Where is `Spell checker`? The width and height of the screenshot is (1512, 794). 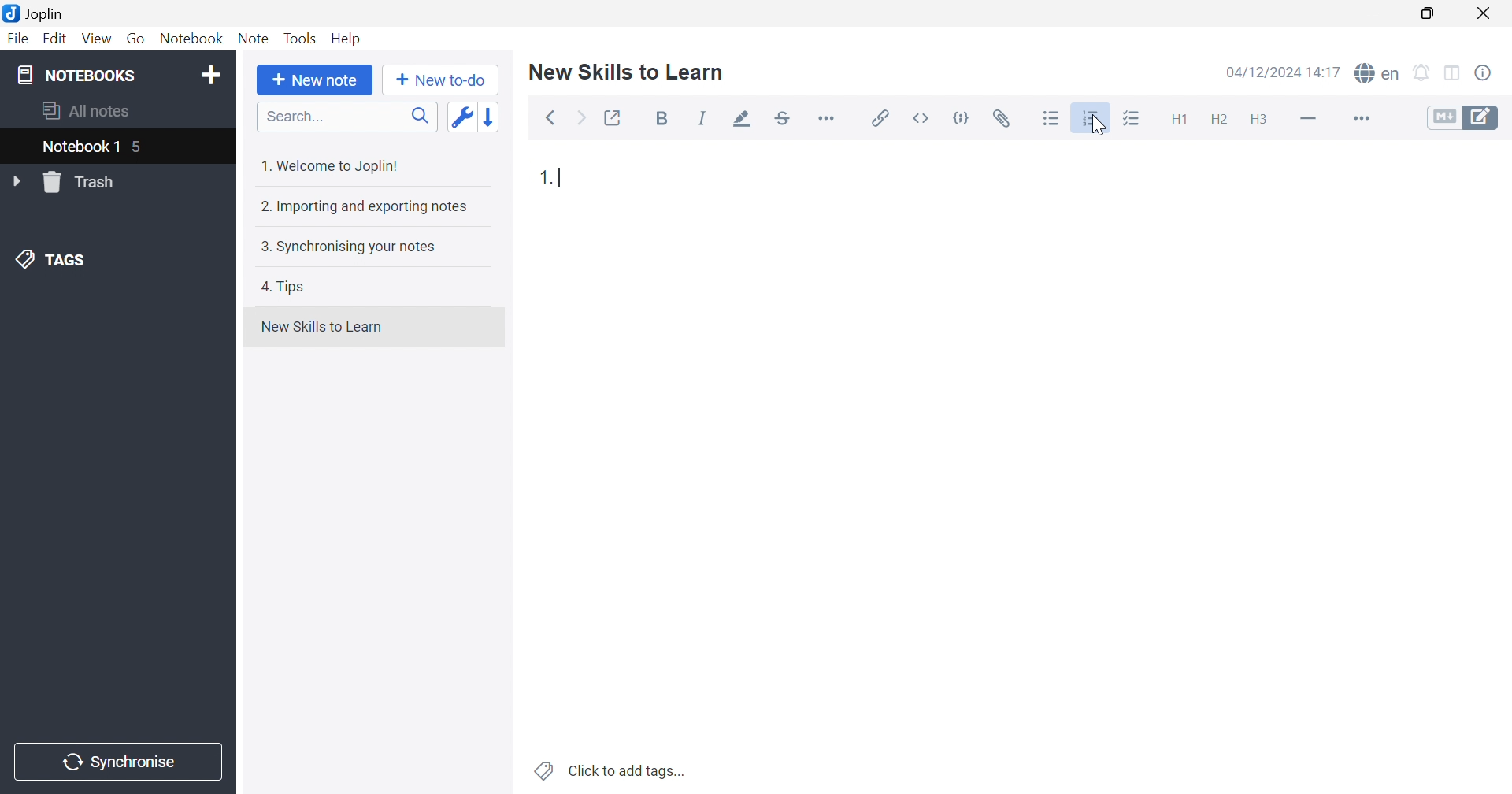
Spell checker is located at coordinates (1376, 72).